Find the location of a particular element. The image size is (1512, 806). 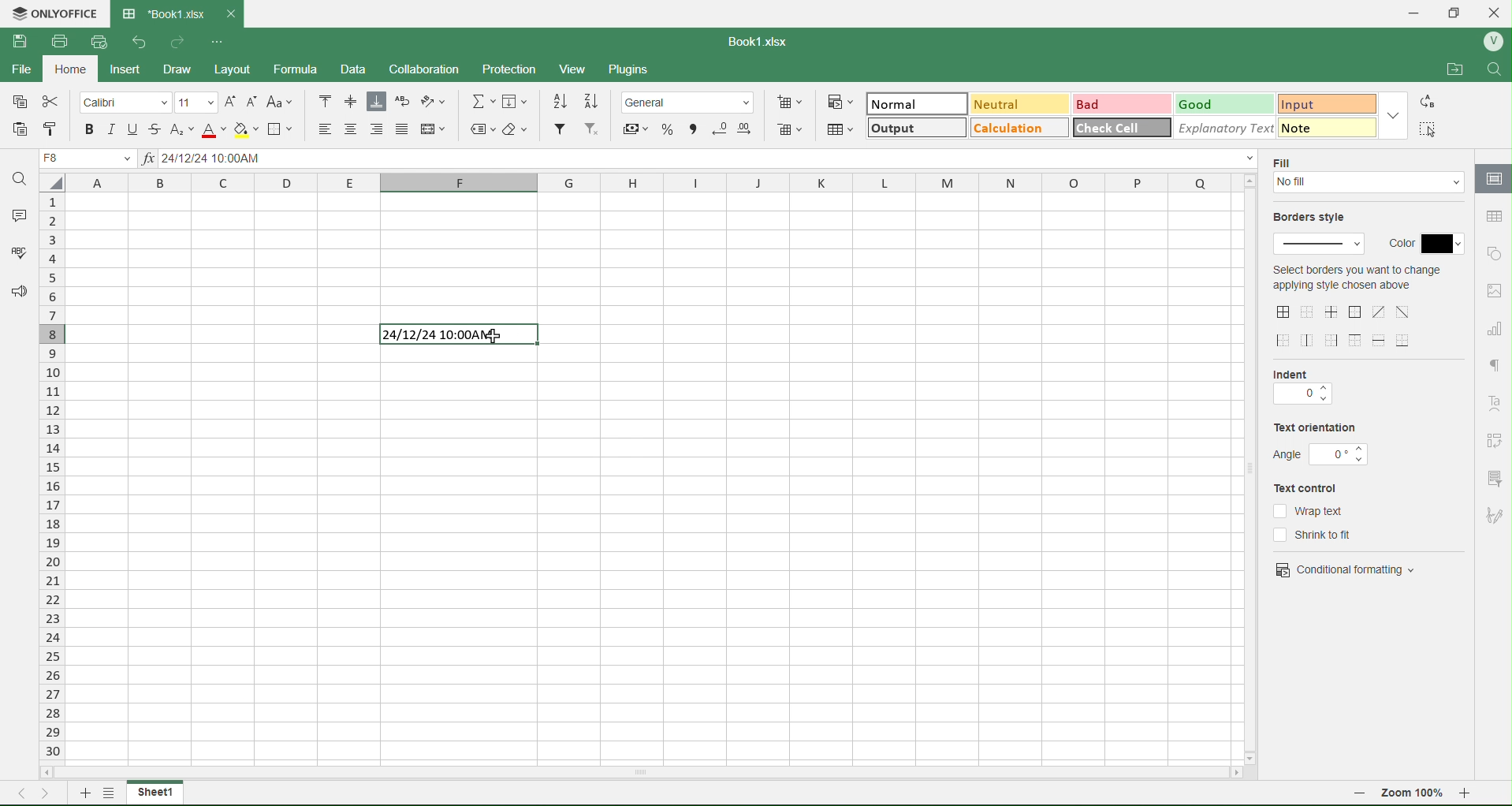

filter is located at coordinates (1493, 477).